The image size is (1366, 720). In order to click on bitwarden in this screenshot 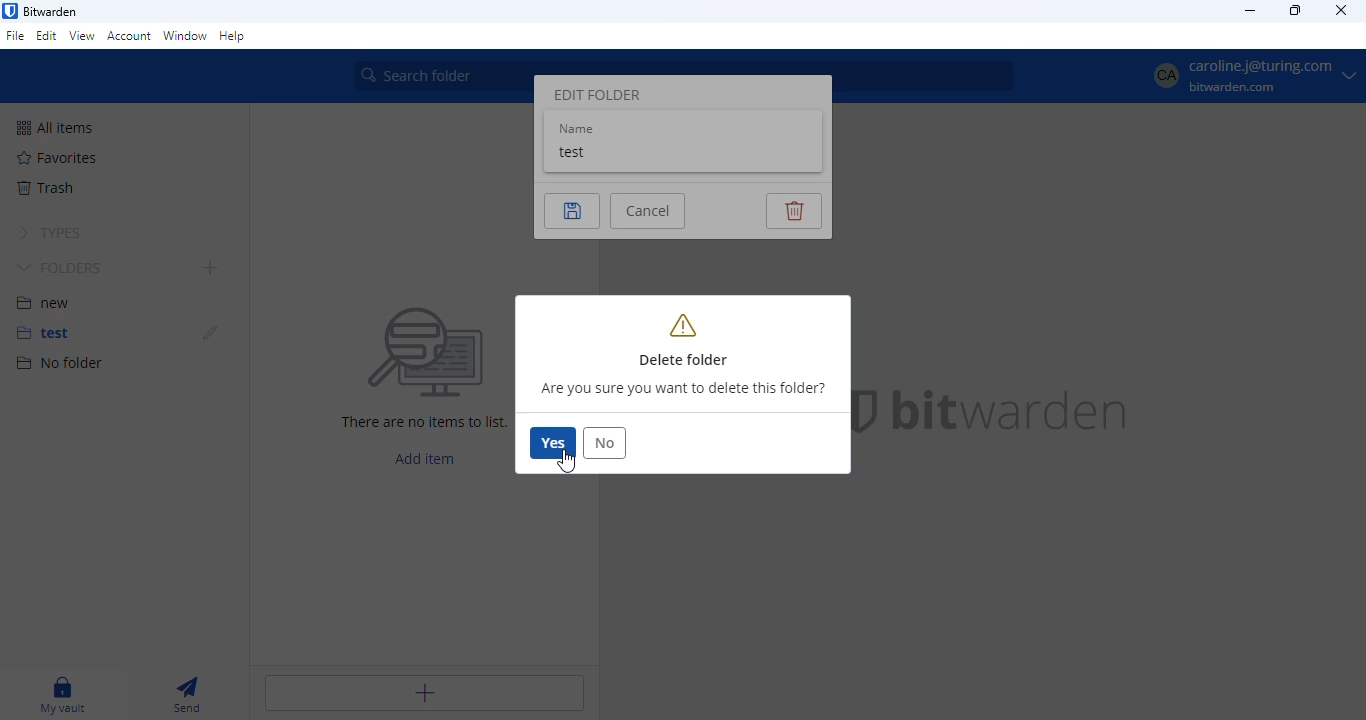, I will do `click(1009, 410)`.